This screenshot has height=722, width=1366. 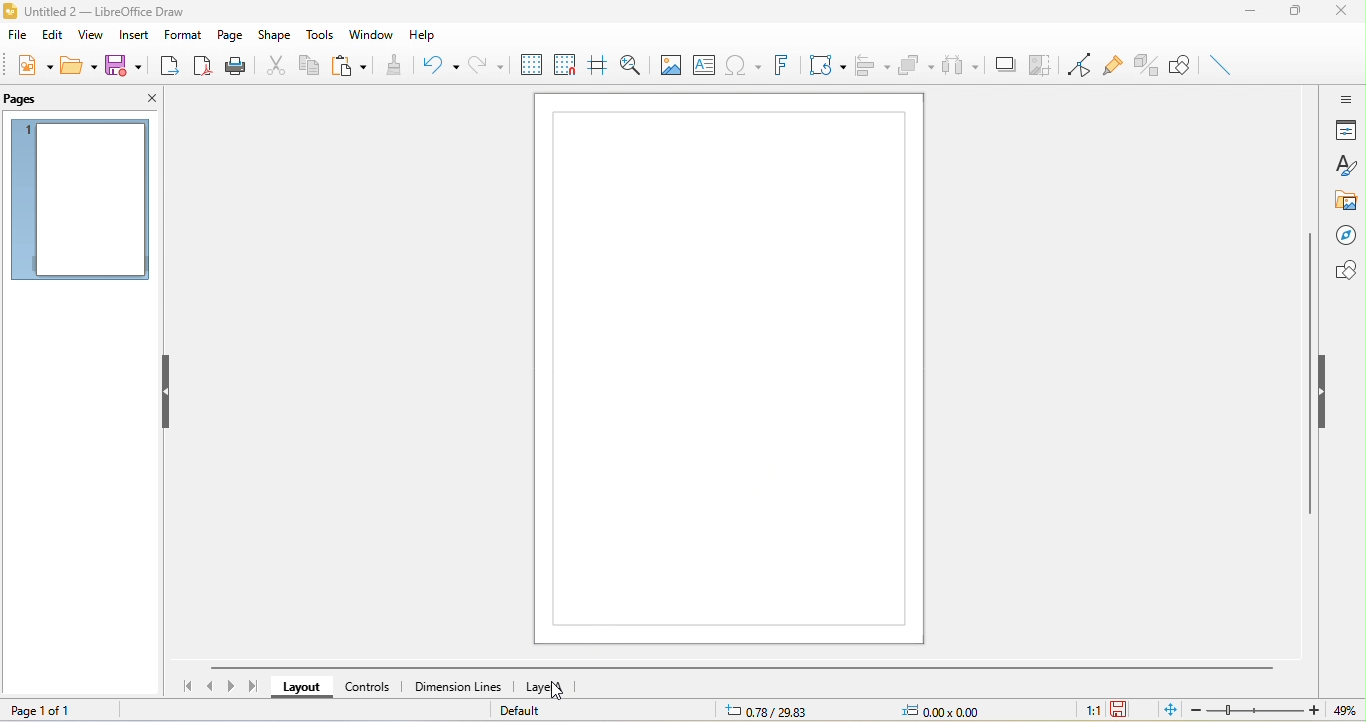 What do you see at coordinates (1347, 710) in the screenshot?
I see `49%` at bounding box center [1347, 710].